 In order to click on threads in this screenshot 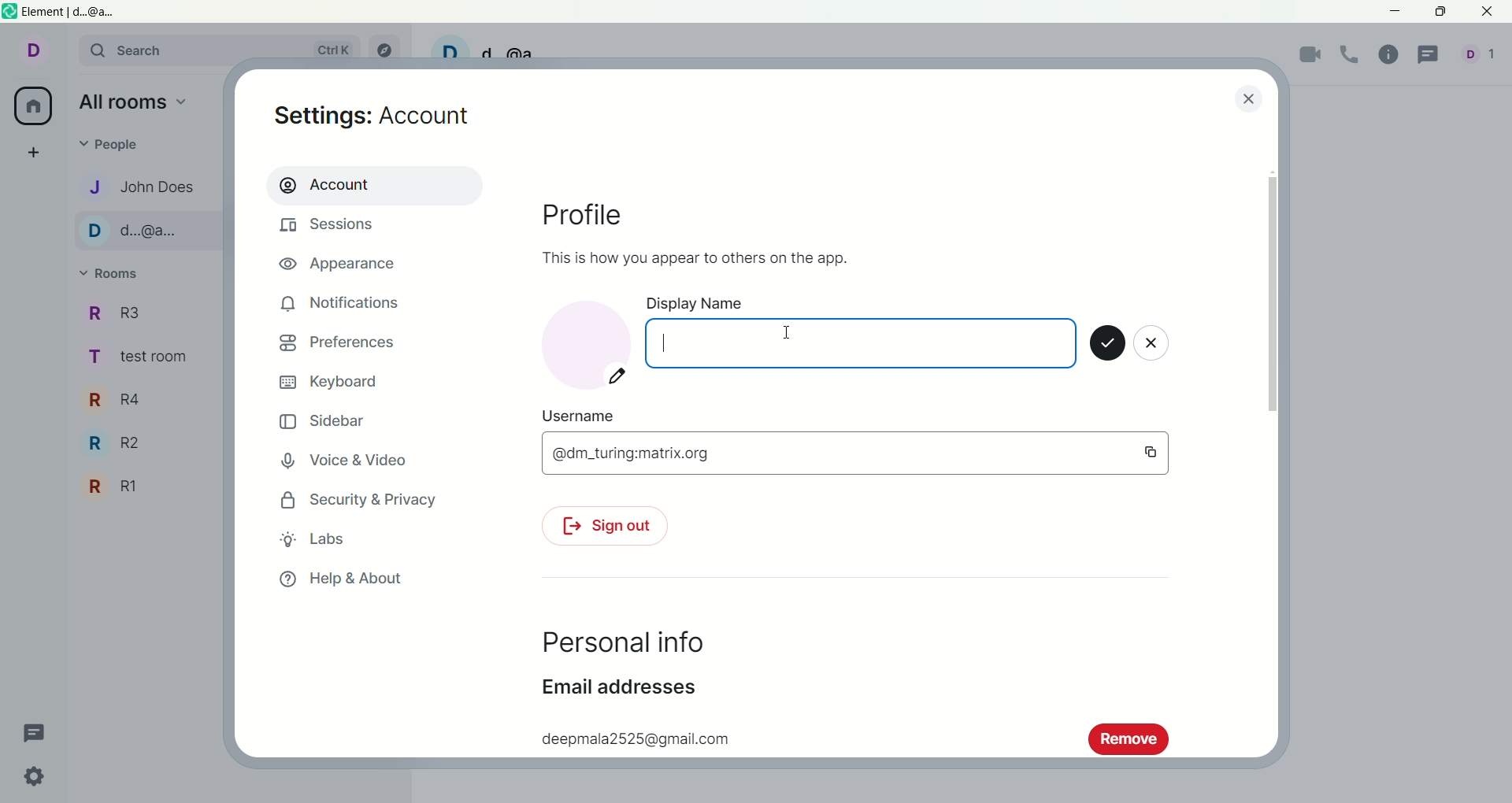, I will do `click(1431, 55)`.